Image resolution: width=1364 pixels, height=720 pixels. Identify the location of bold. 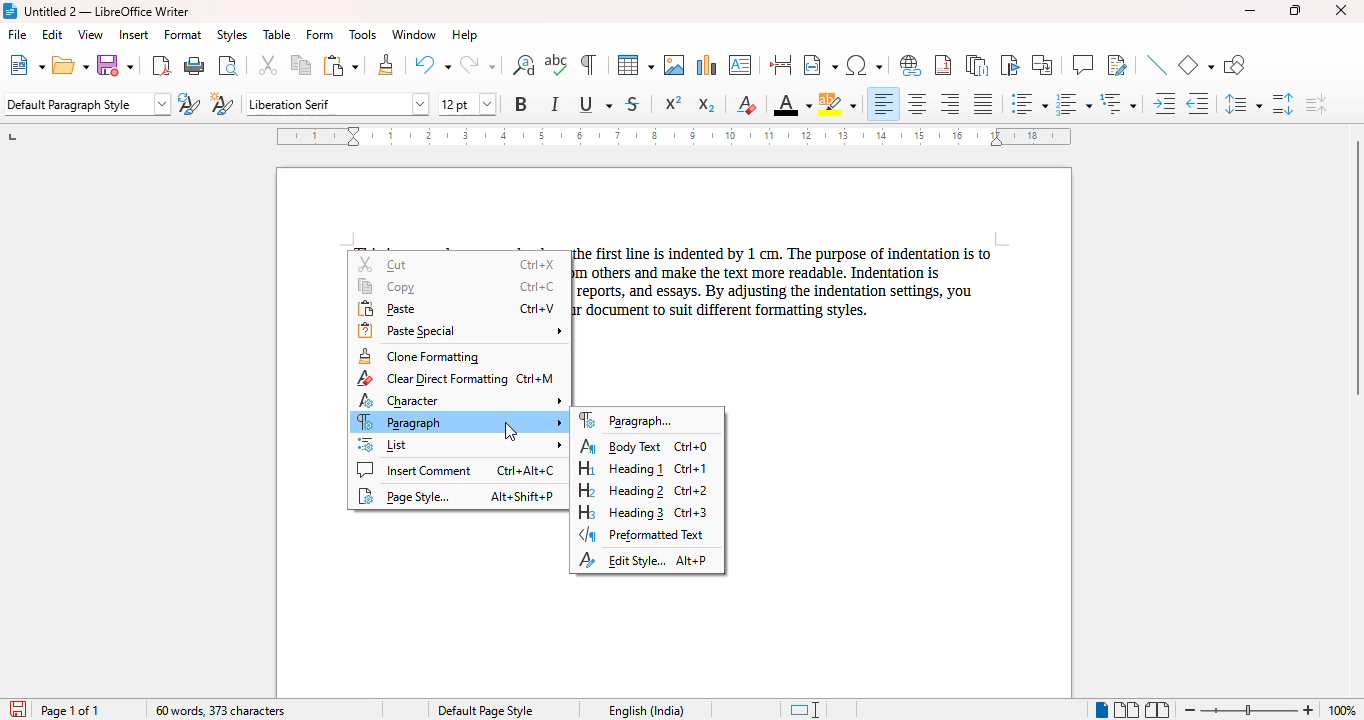
(522, 103).